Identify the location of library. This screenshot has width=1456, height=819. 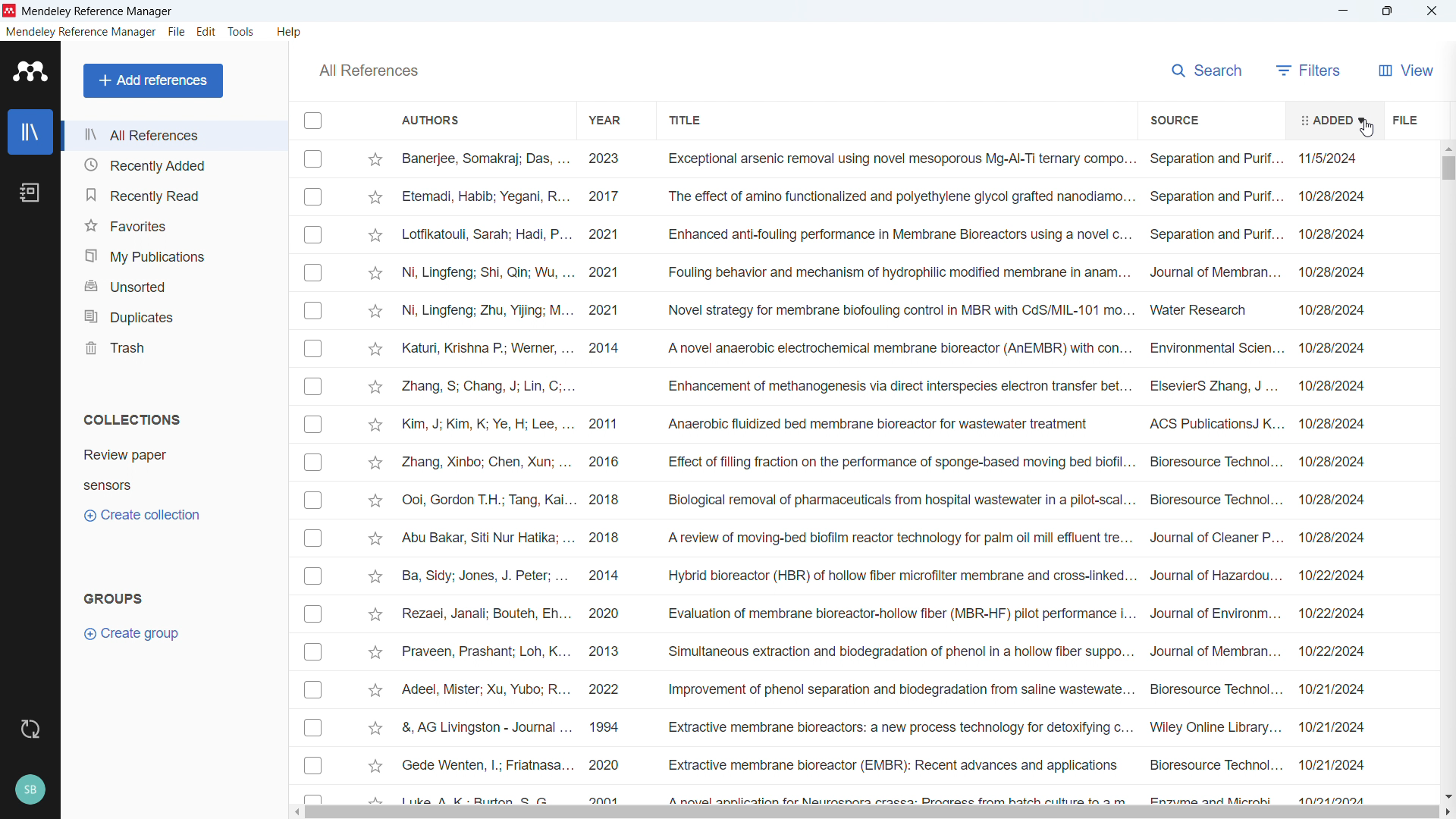
(30, 132).